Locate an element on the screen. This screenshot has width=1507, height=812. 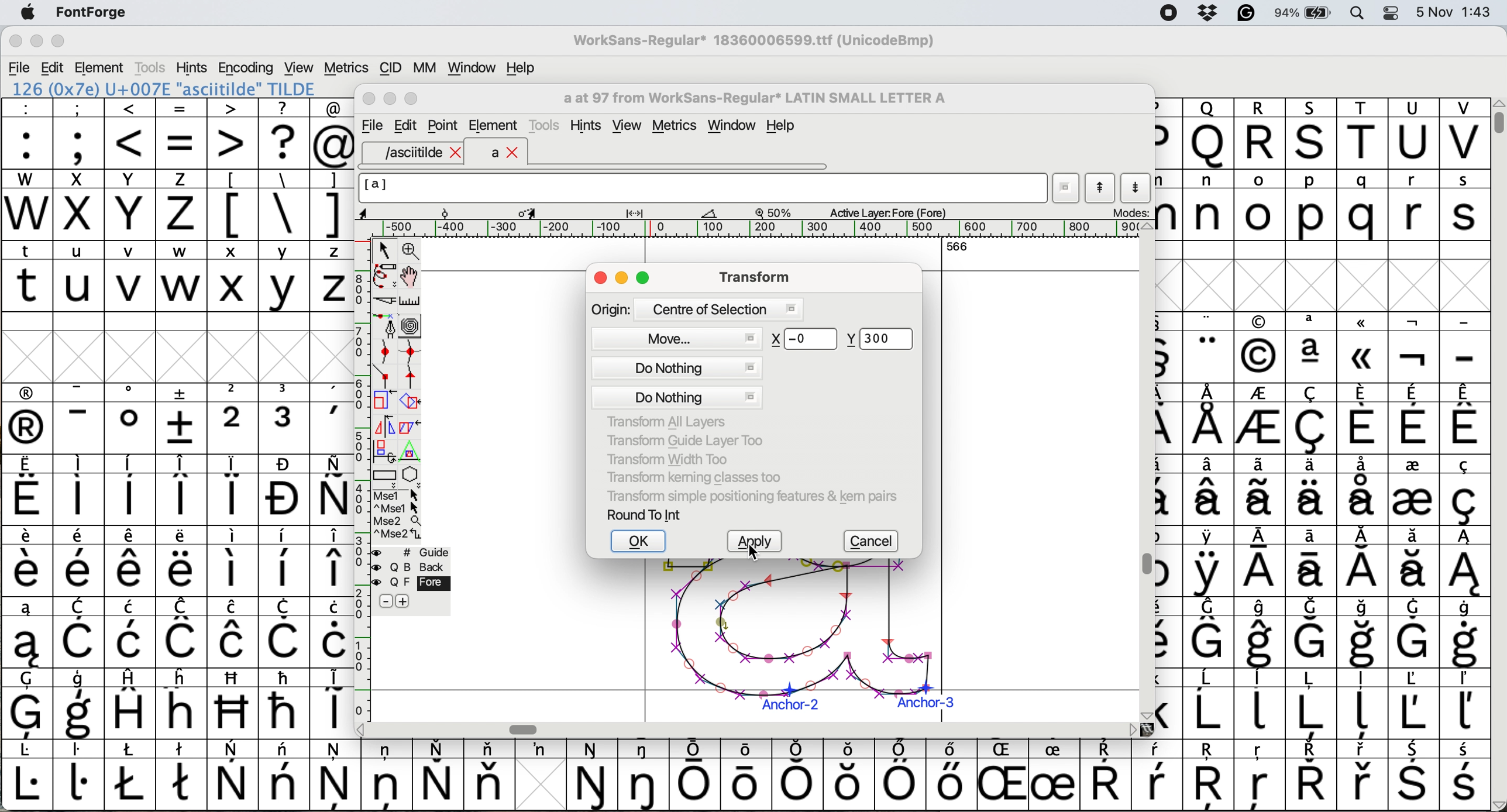
symbol is located at coordinates (1466, 776).